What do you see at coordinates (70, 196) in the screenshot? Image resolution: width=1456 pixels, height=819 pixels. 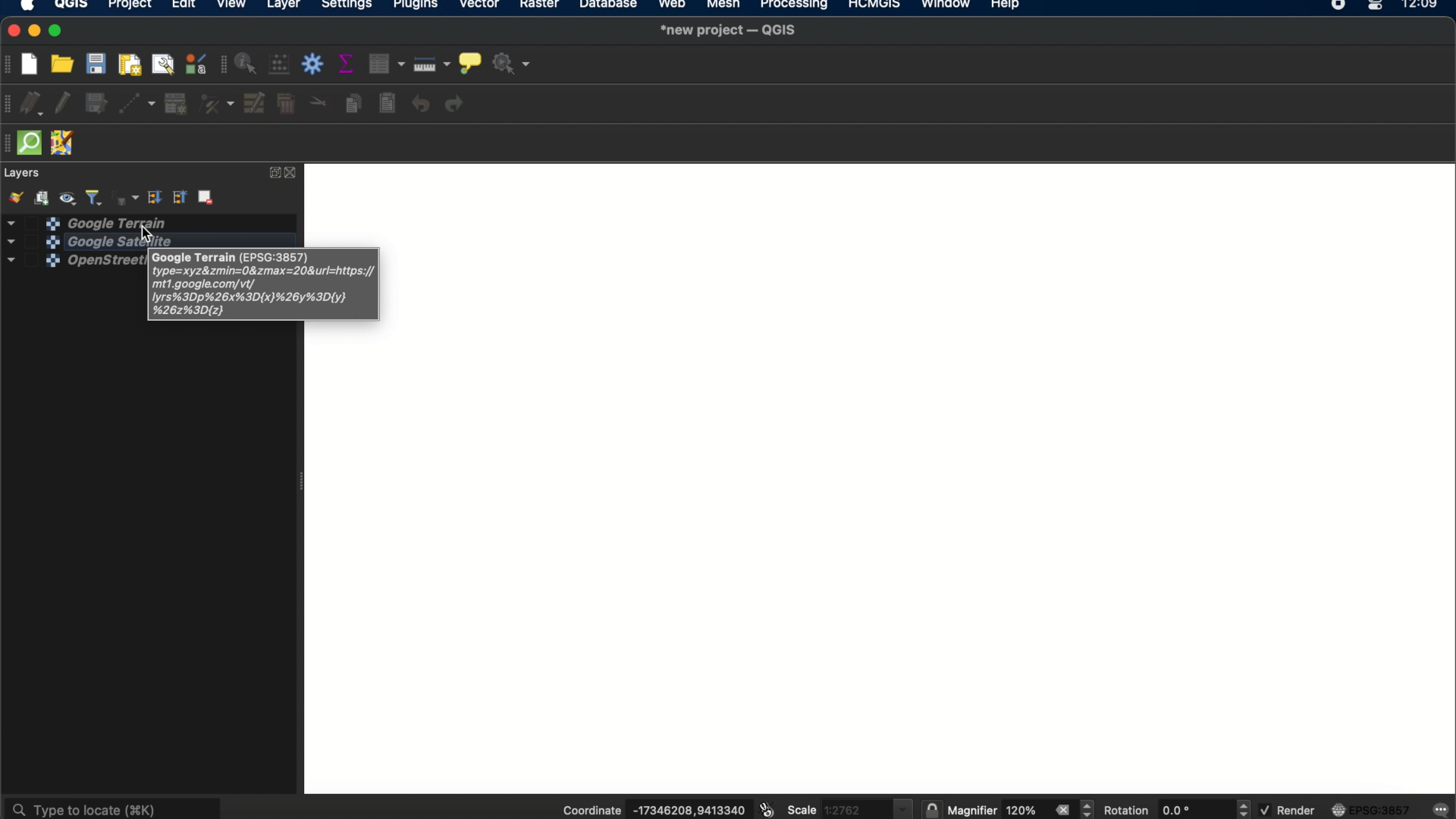 I see `manage map themes` at bounding box center [70, 196].